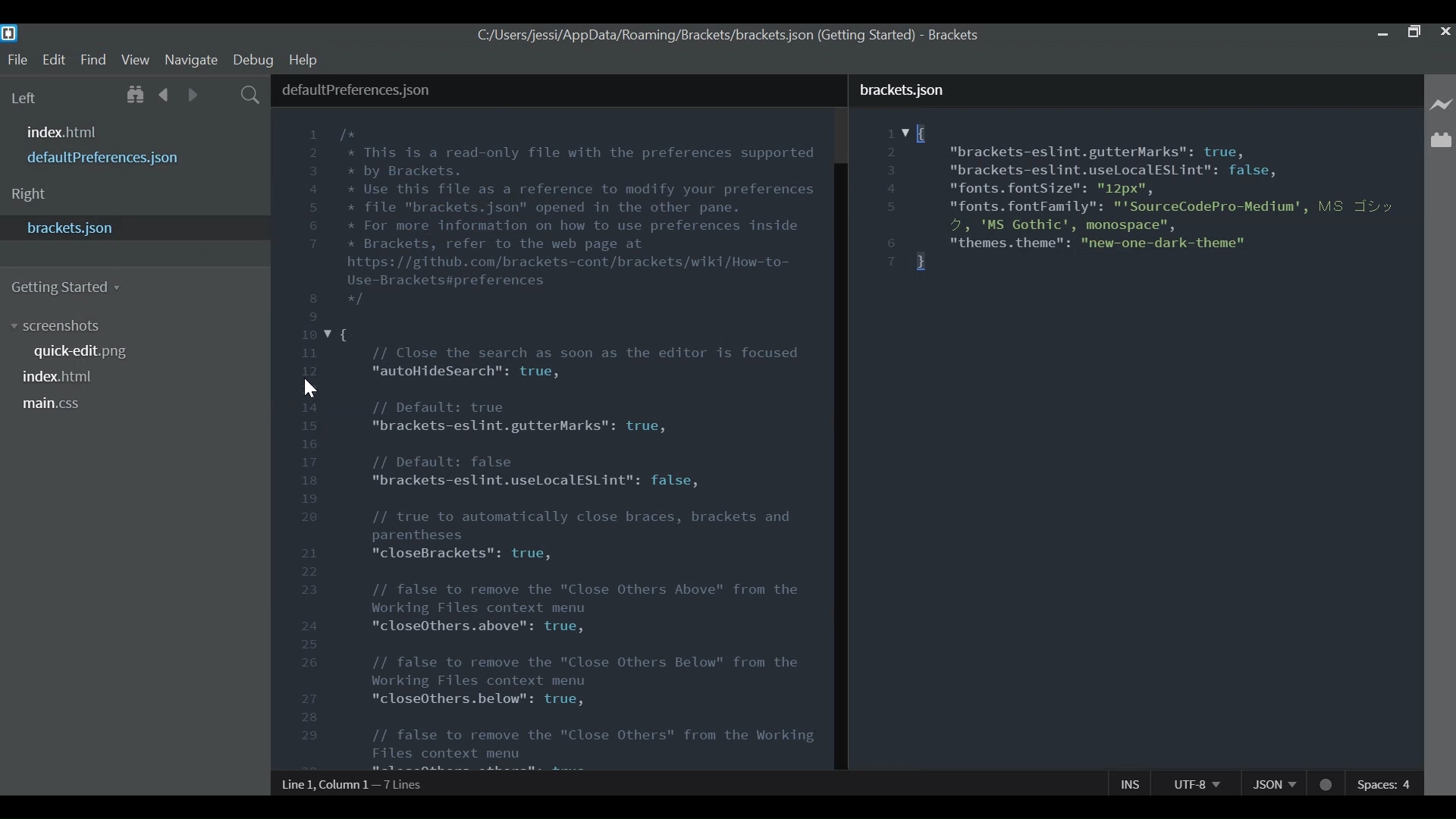  Describe the element at coordinates (843, 467) in the screenshot. I see `Vertical Scroll bar` at that location.